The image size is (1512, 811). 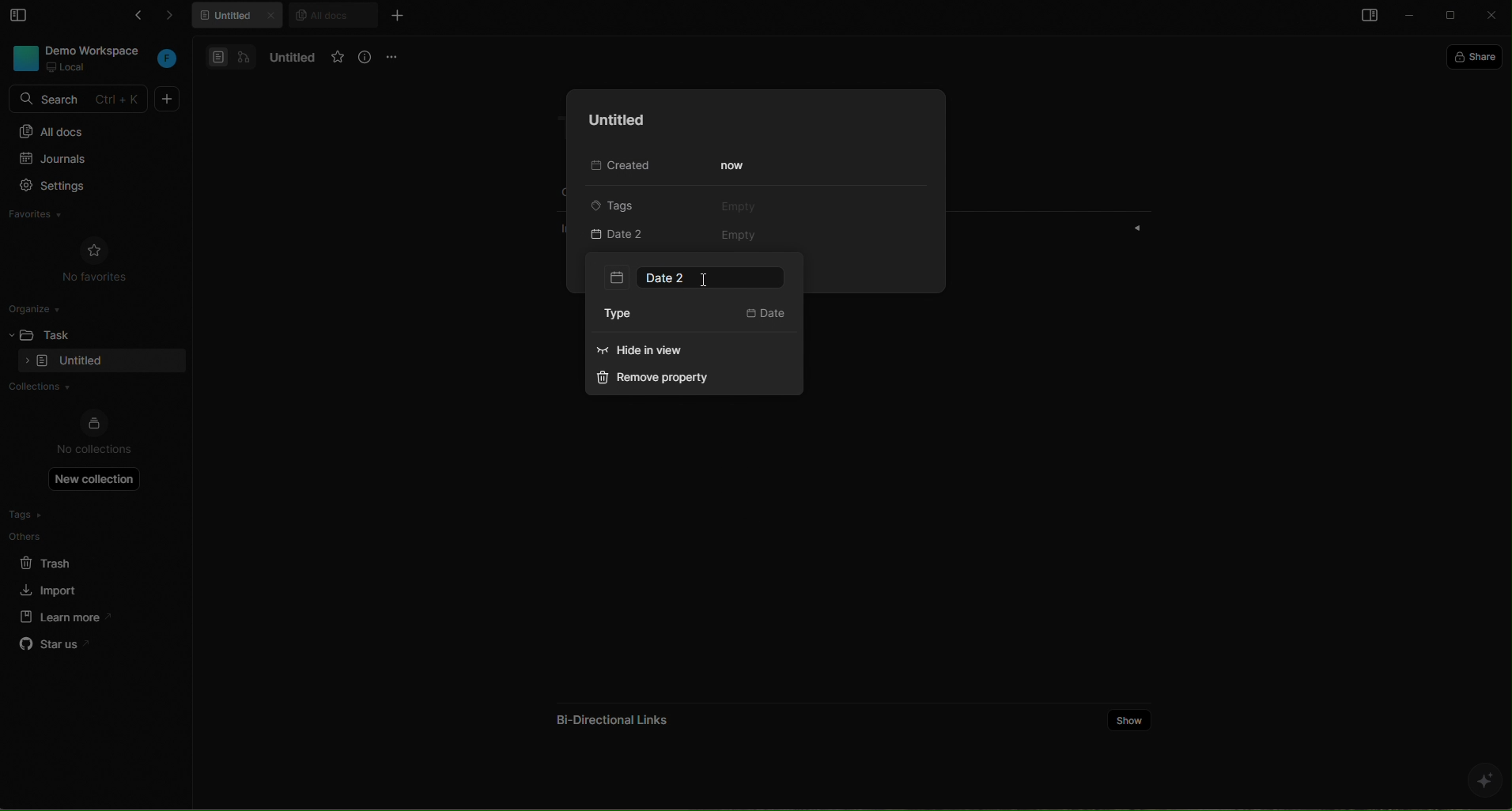 I want to click on trash, so click(x=59, y=560).